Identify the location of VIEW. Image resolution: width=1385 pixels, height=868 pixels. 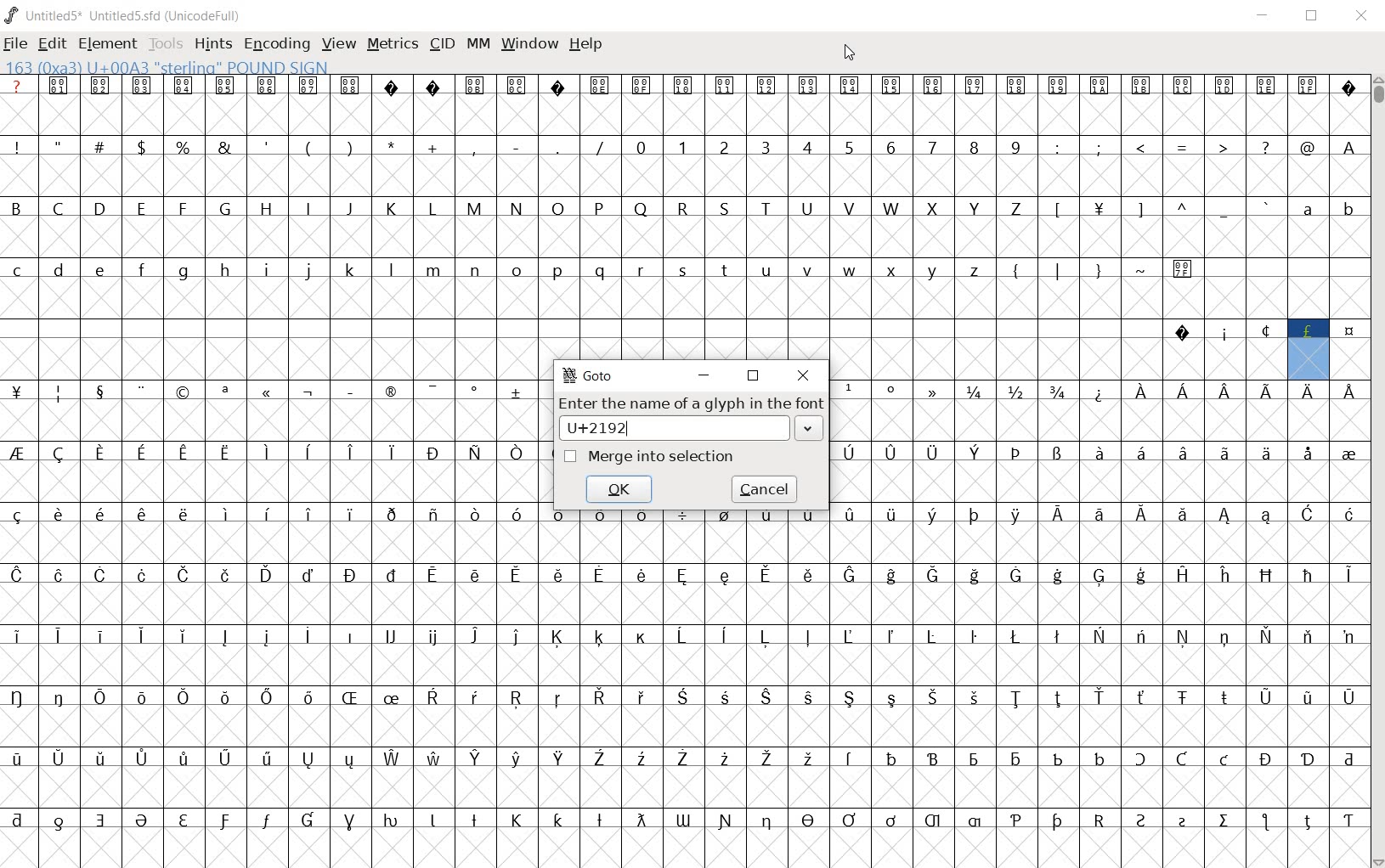
(337, 44).